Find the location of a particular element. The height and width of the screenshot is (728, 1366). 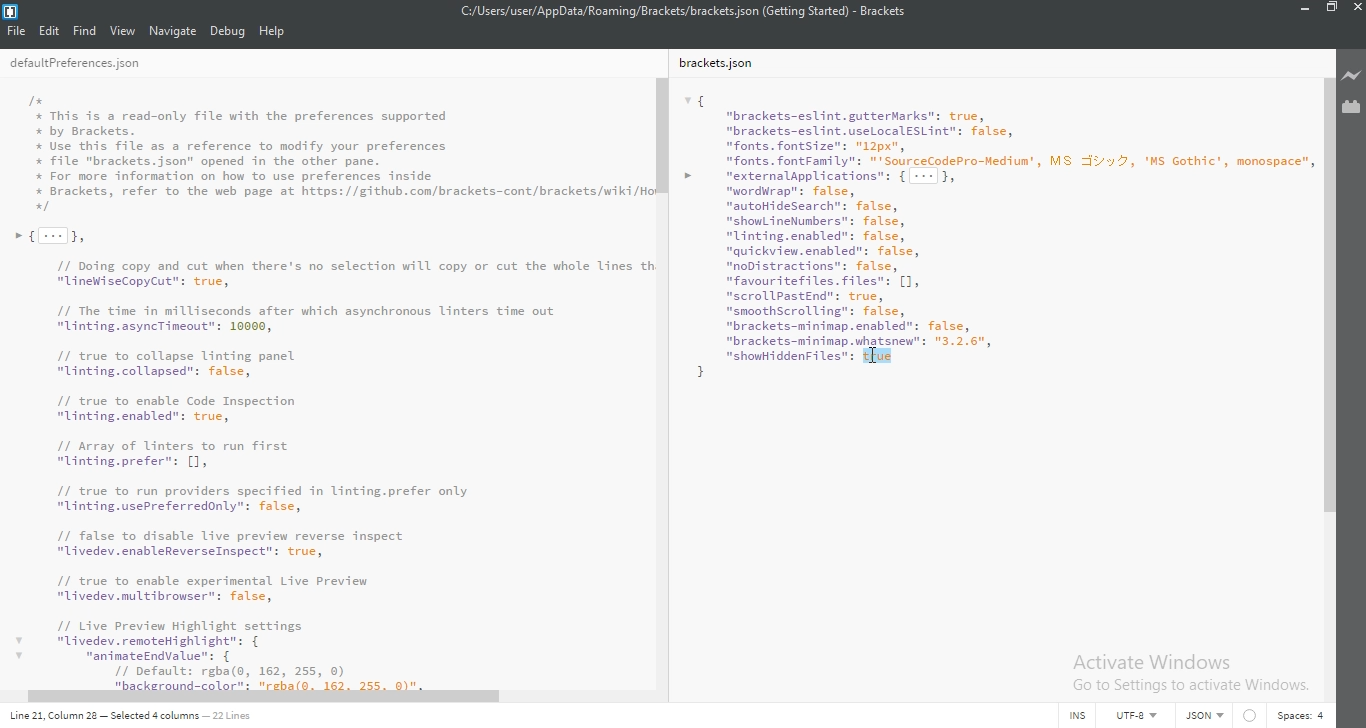

INS is located at coordinates (1084, 716).